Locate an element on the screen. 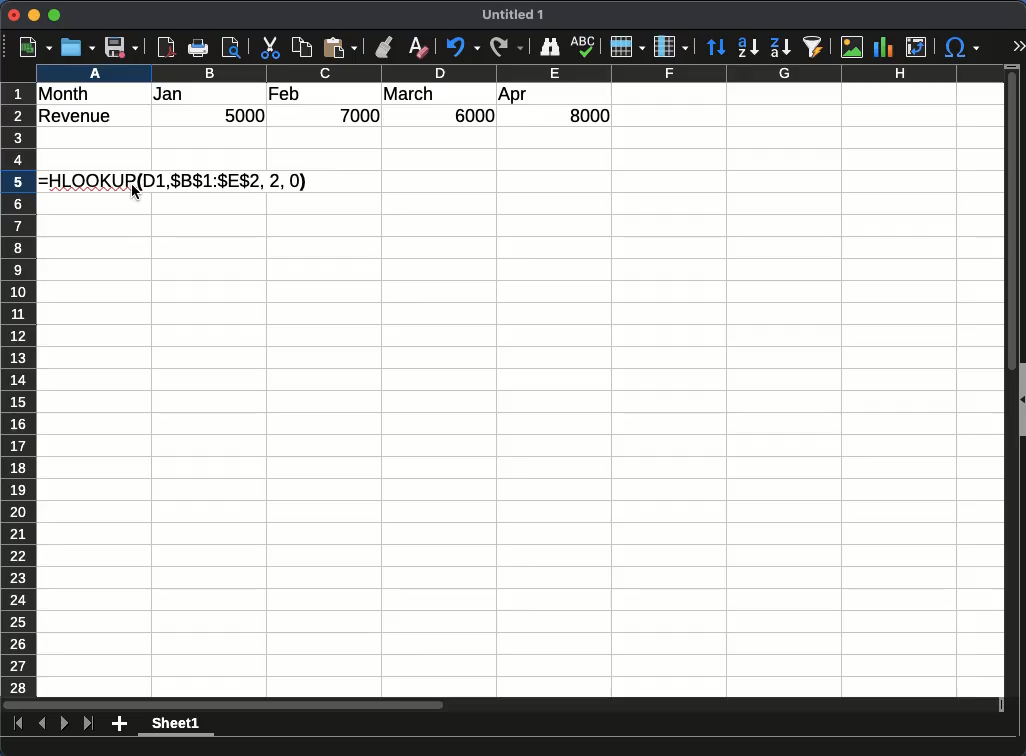 The width and height of the screenshot is (1026, 756). autofilter is located at coordinates (814, 47).